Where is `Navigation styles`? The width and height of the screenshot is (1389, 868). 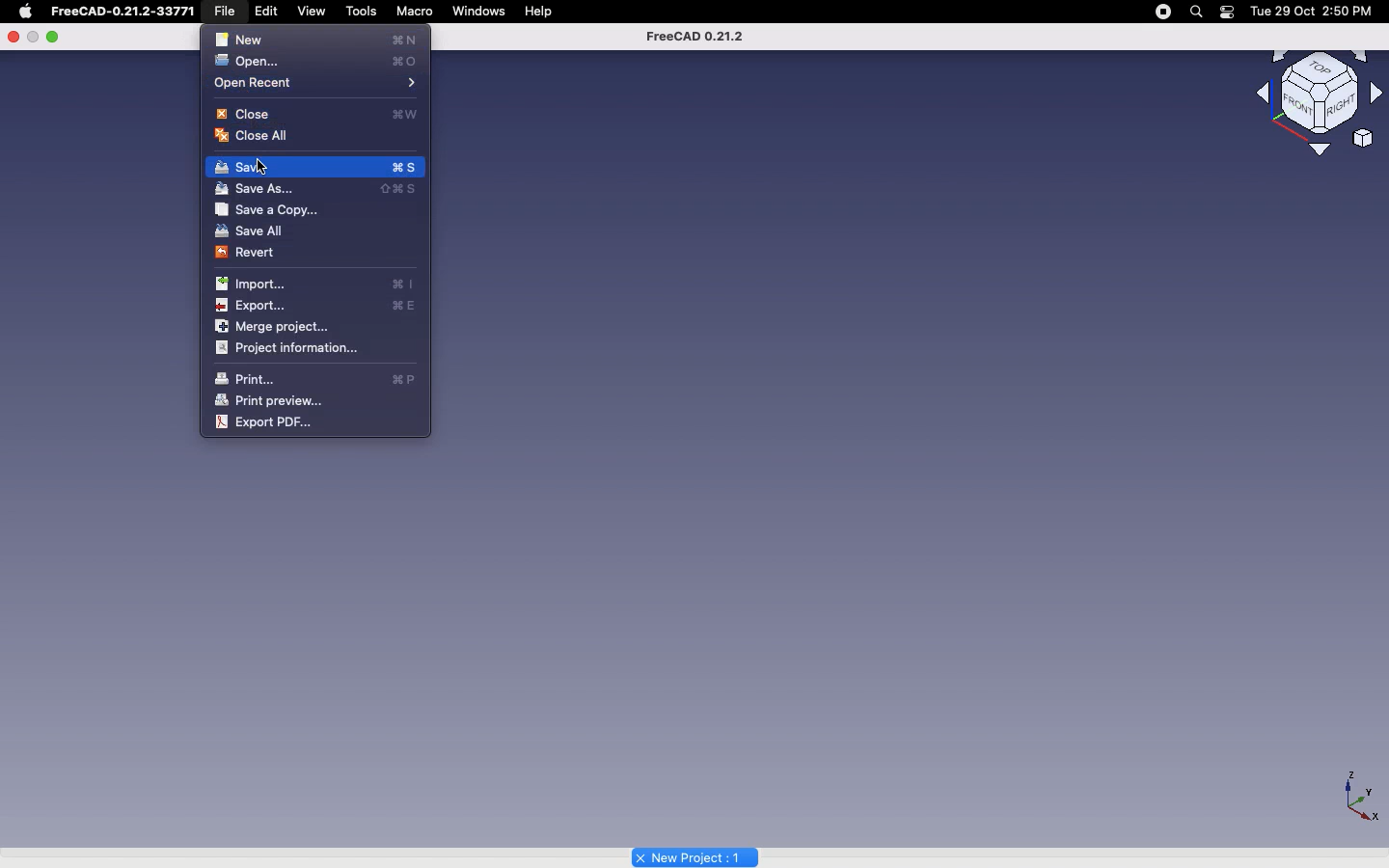
Navigation styles is located at coordinates (1318, 93).